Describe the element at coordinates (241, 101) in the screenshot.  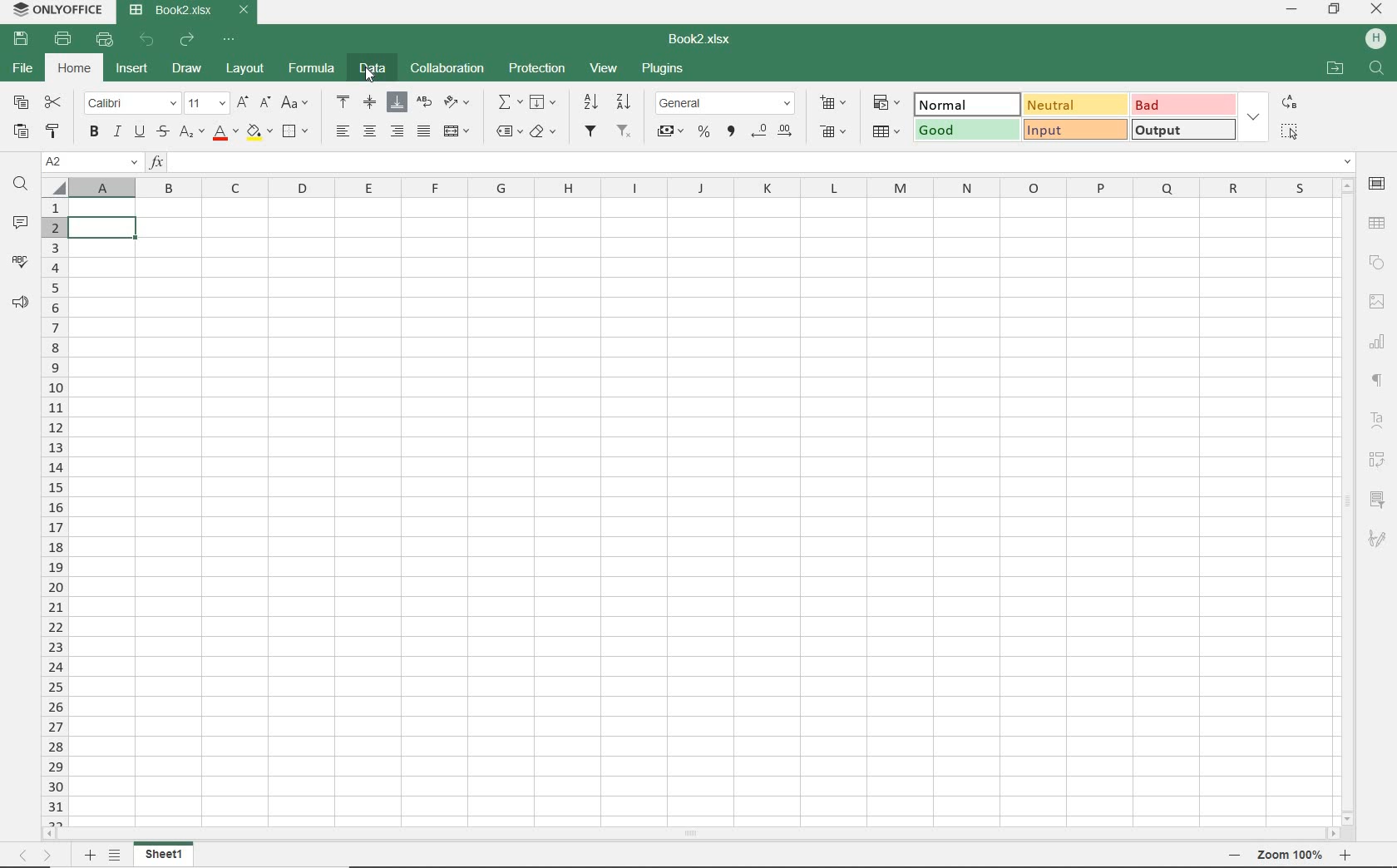
I see `INCREMENT FONT SIZE` at that location.